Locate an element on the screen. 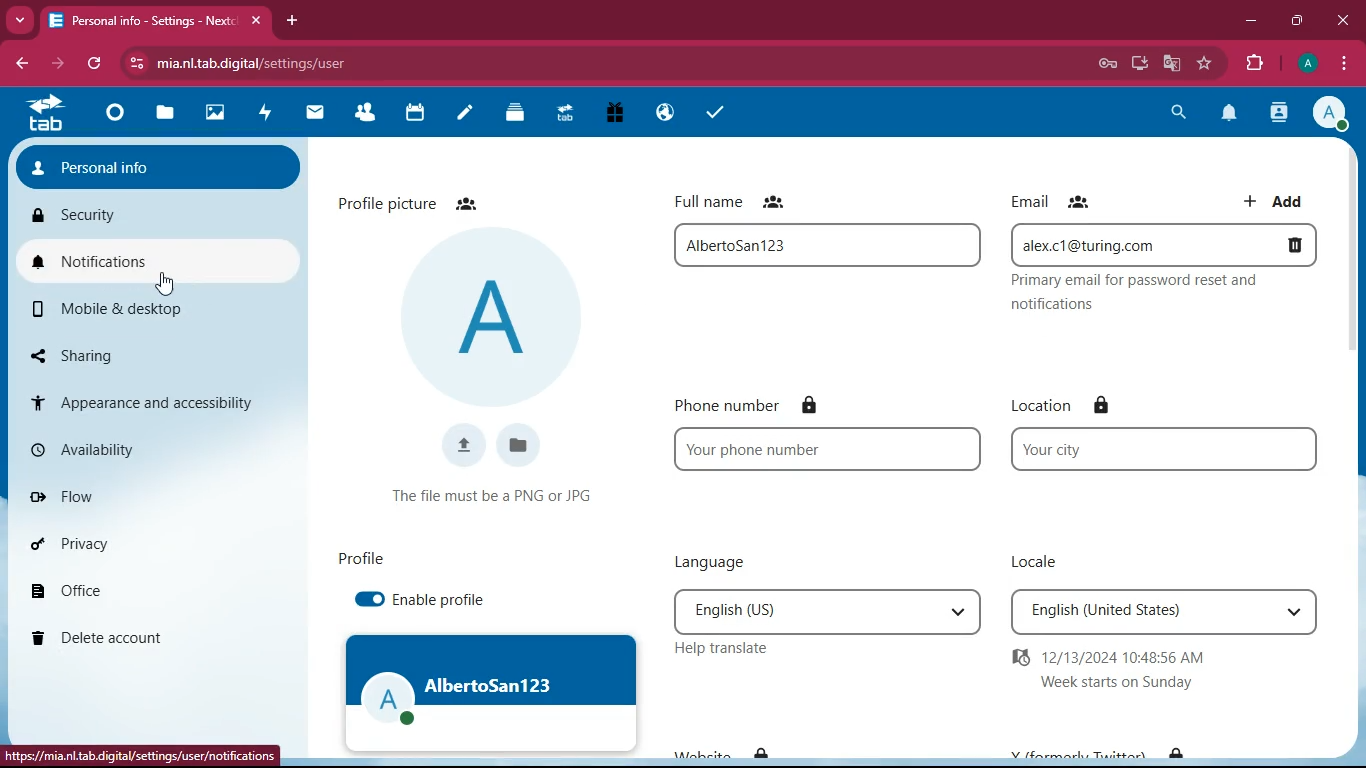  Free Trial is located at coordinates (613, 114).